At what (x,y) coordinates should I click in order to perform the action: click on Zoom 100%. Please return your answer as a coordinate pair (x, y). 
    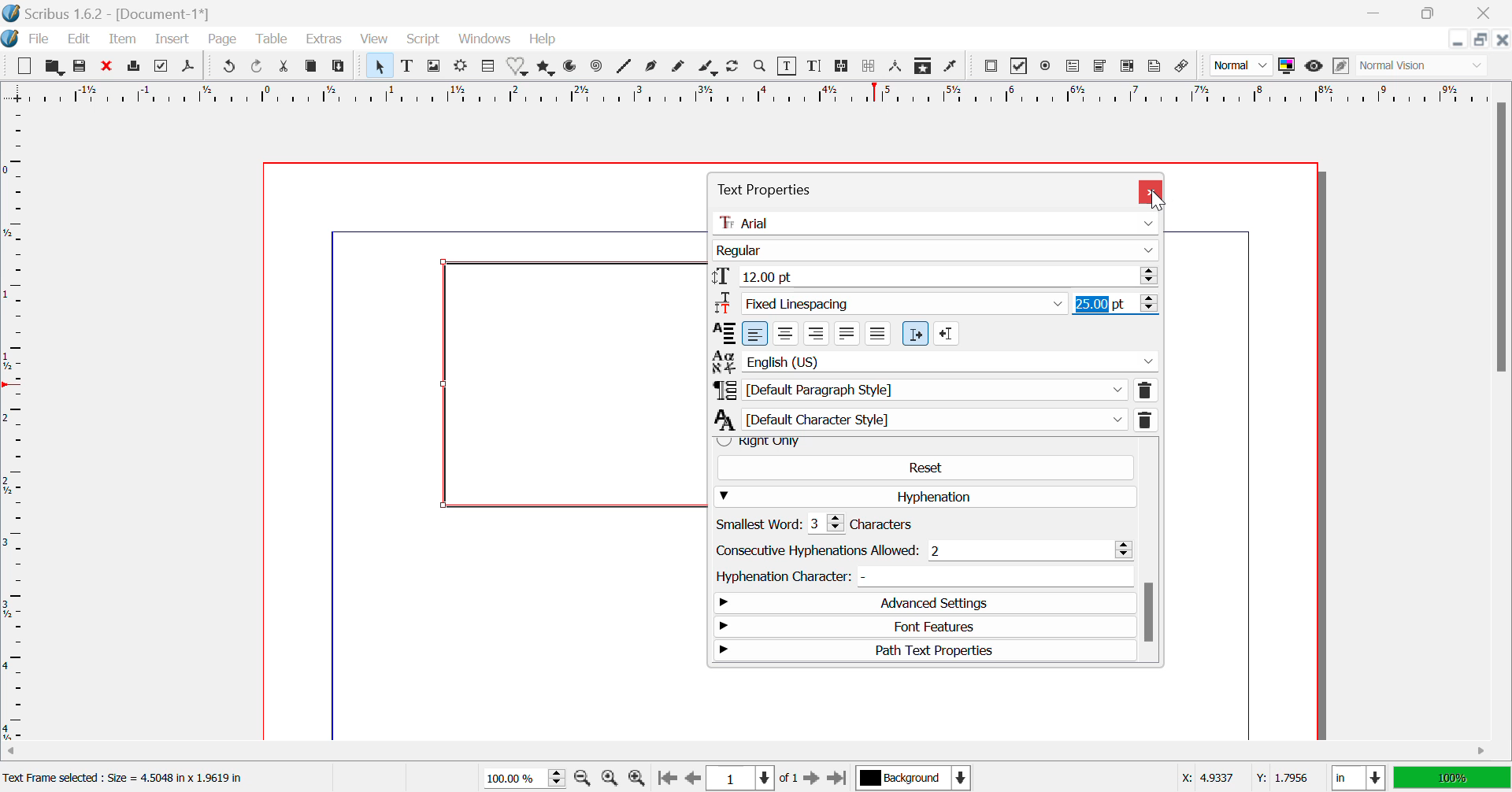
    Looking at the image, I should click on (526, 777).